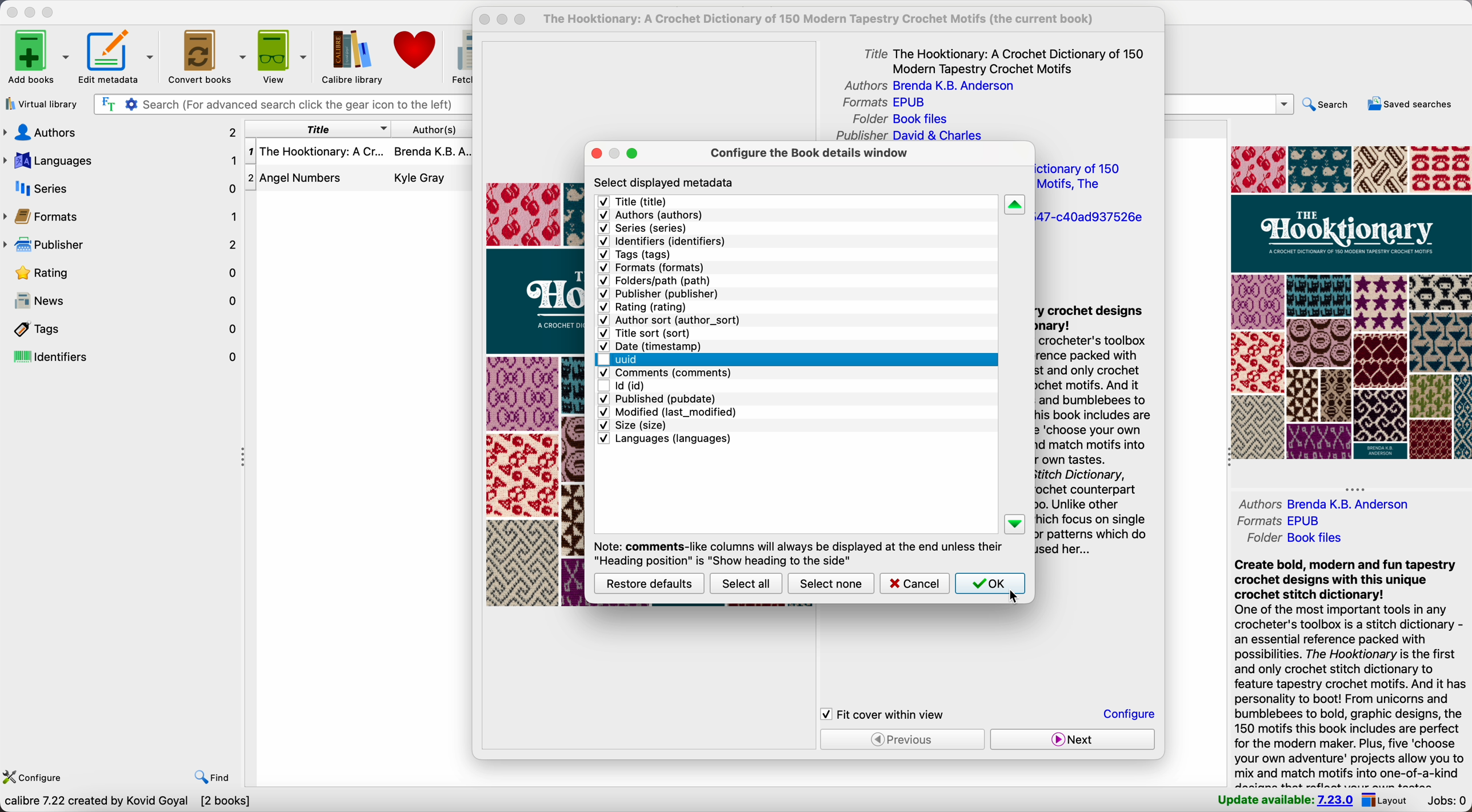  I want to click on update available, so click(1285, 798).